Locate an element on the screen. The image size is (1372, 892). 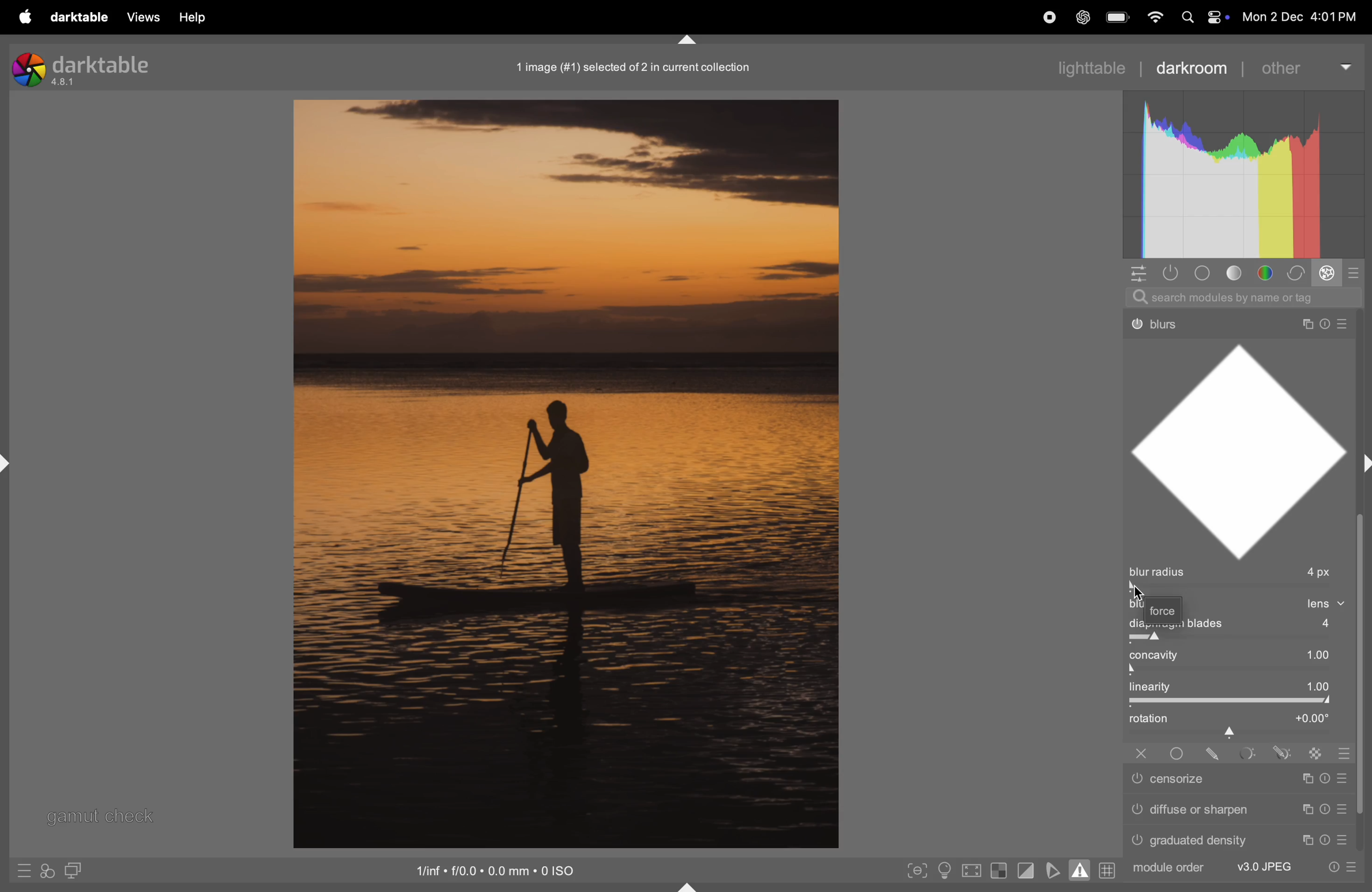
color is located at coordinates (1268, 272).